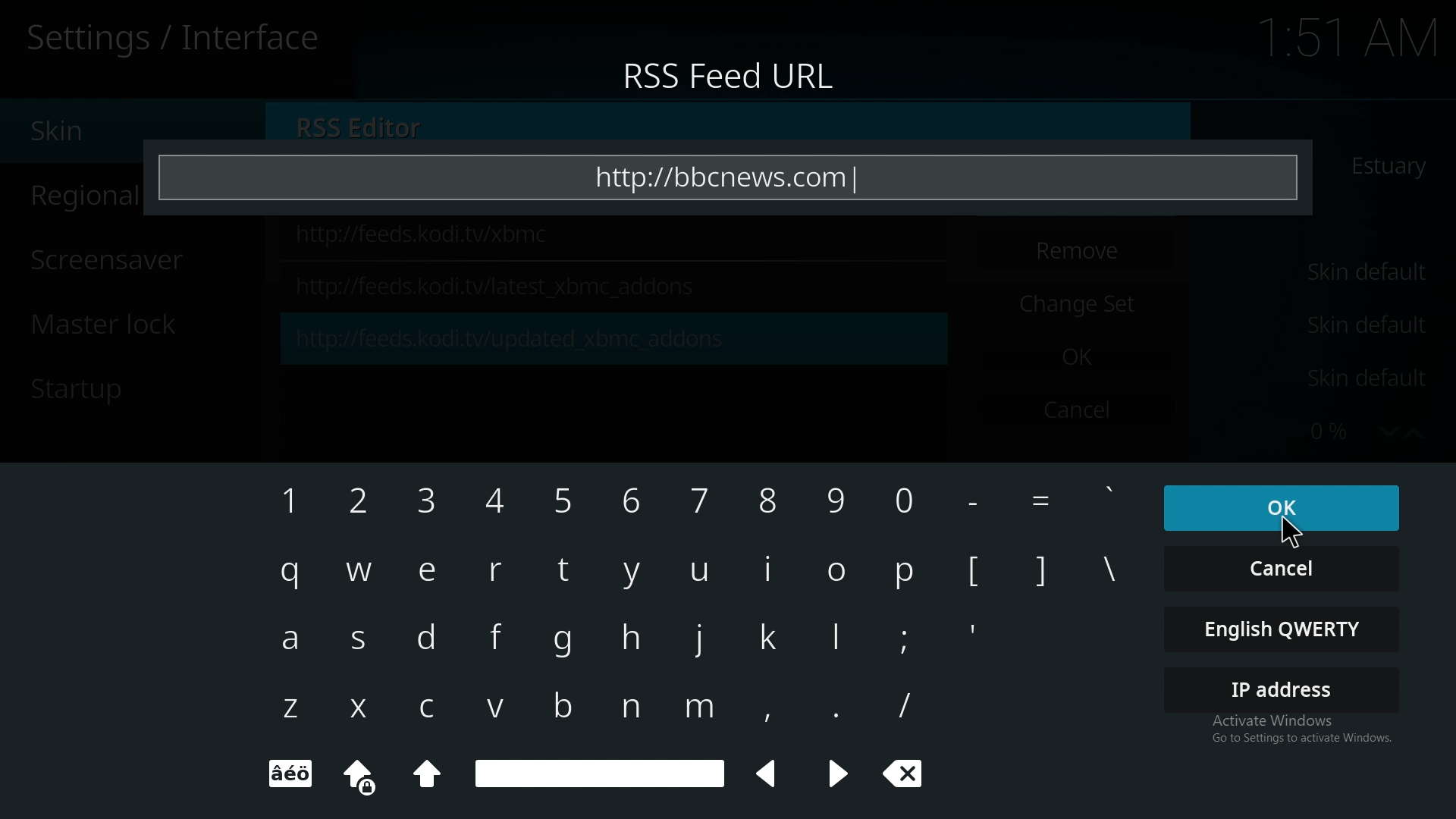 The image size is (1456, 819). I want to click on keyboard Input, so click(1108, 493).